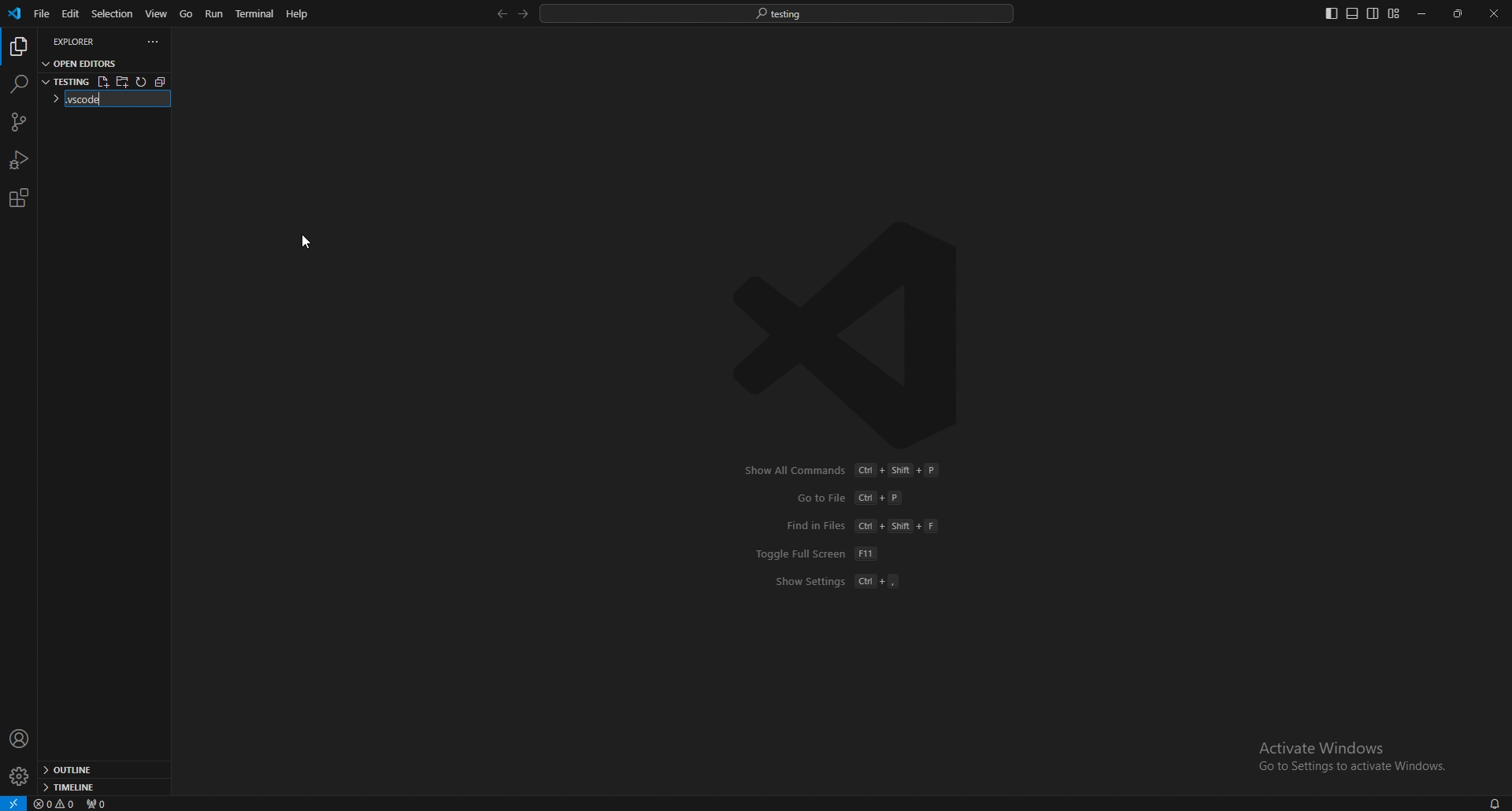 This screenshot has width=1512, height=811. What do you see at coordinates (521, 14) in the screenshot?
I see `forward` at bounding box center [521, 14].